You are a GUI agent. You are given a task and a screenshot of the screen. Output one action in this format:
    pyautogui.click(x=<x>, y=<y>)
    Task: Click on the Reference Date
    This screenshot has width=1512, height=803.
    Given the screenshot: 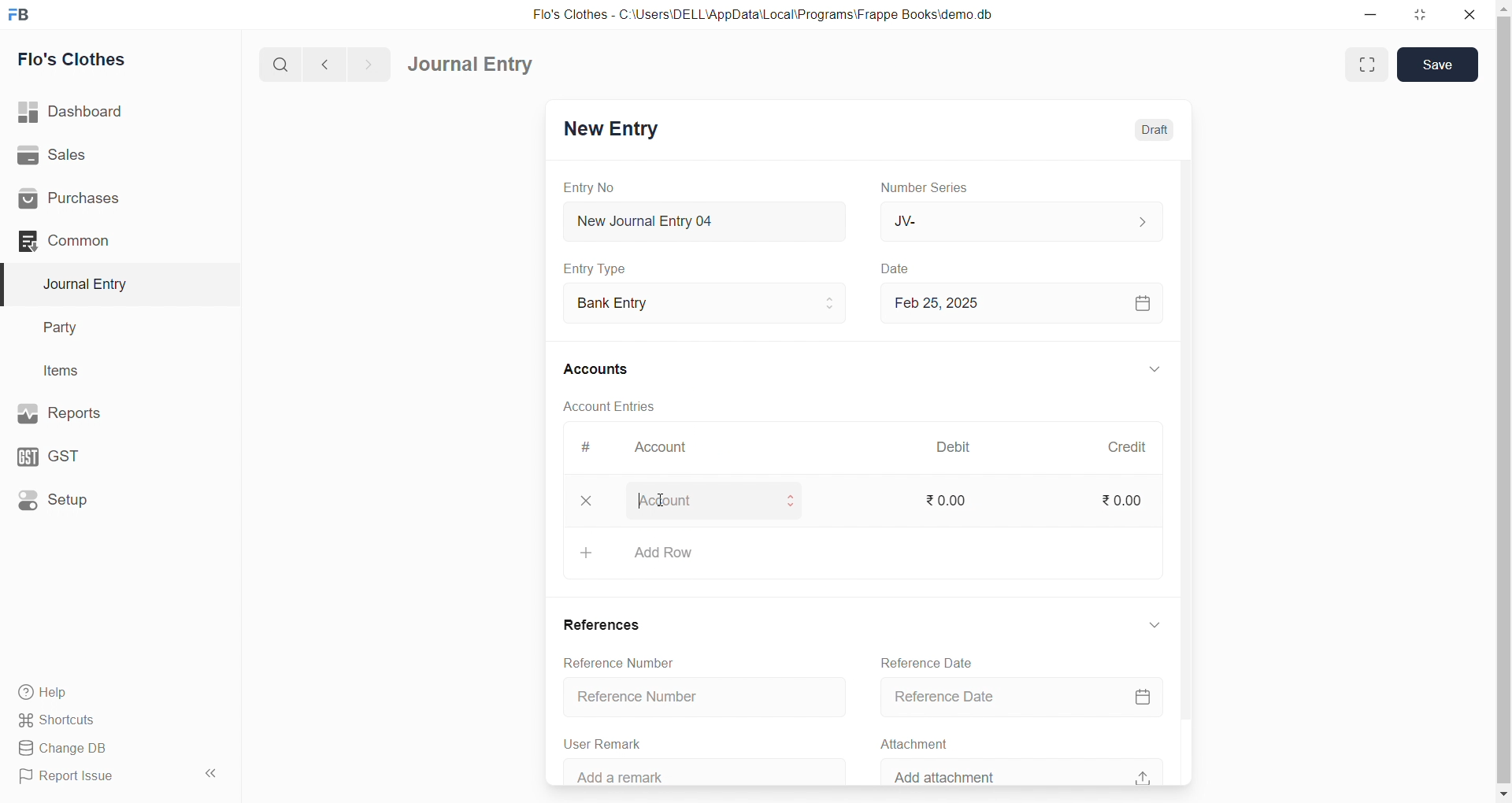 What is the action you would take?
    pyautogui.click(x=931, y=661)
    